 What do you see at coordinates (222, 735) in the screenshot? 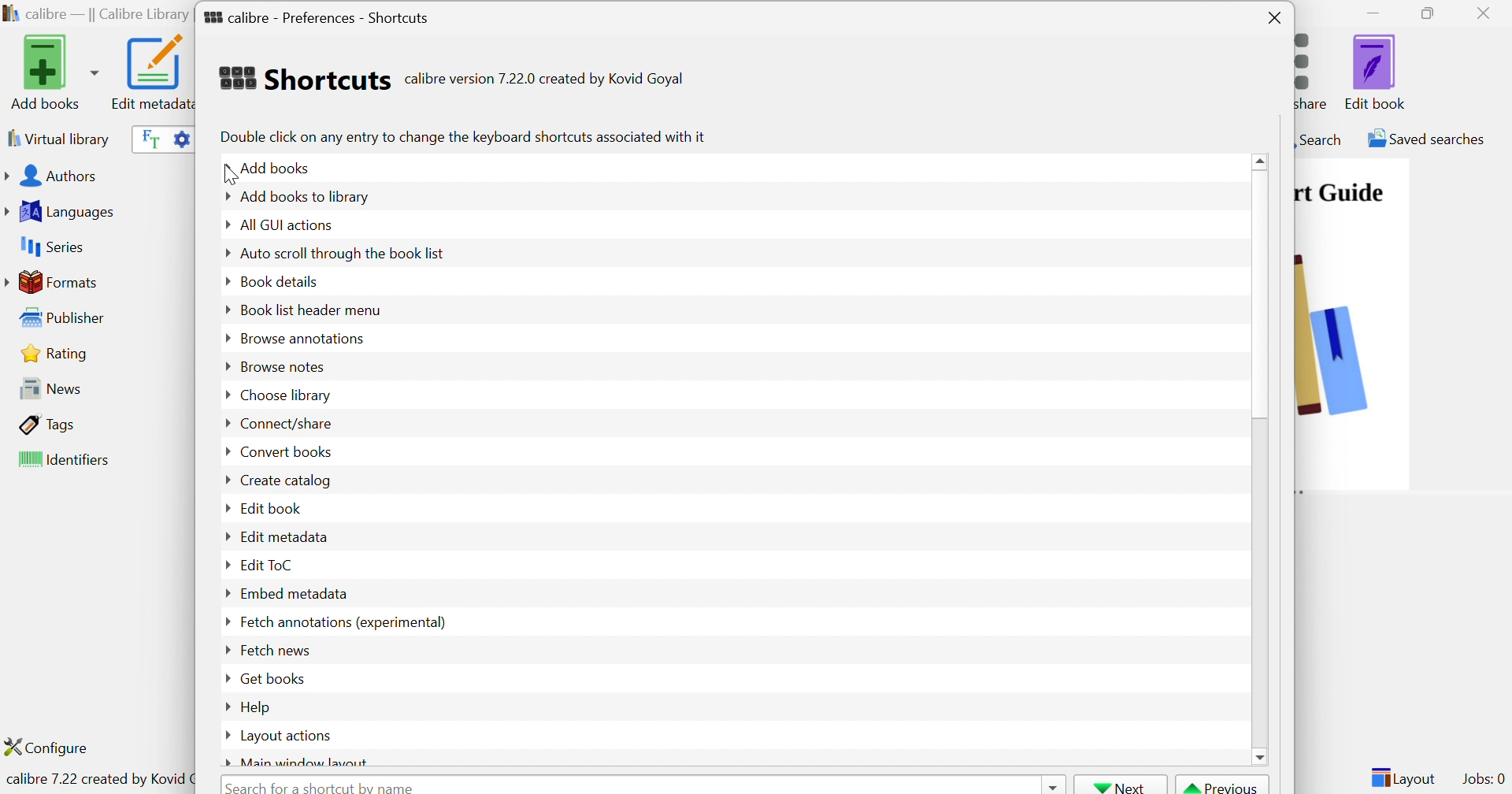
I see `Drop Down` at bounding box center [222, 735].